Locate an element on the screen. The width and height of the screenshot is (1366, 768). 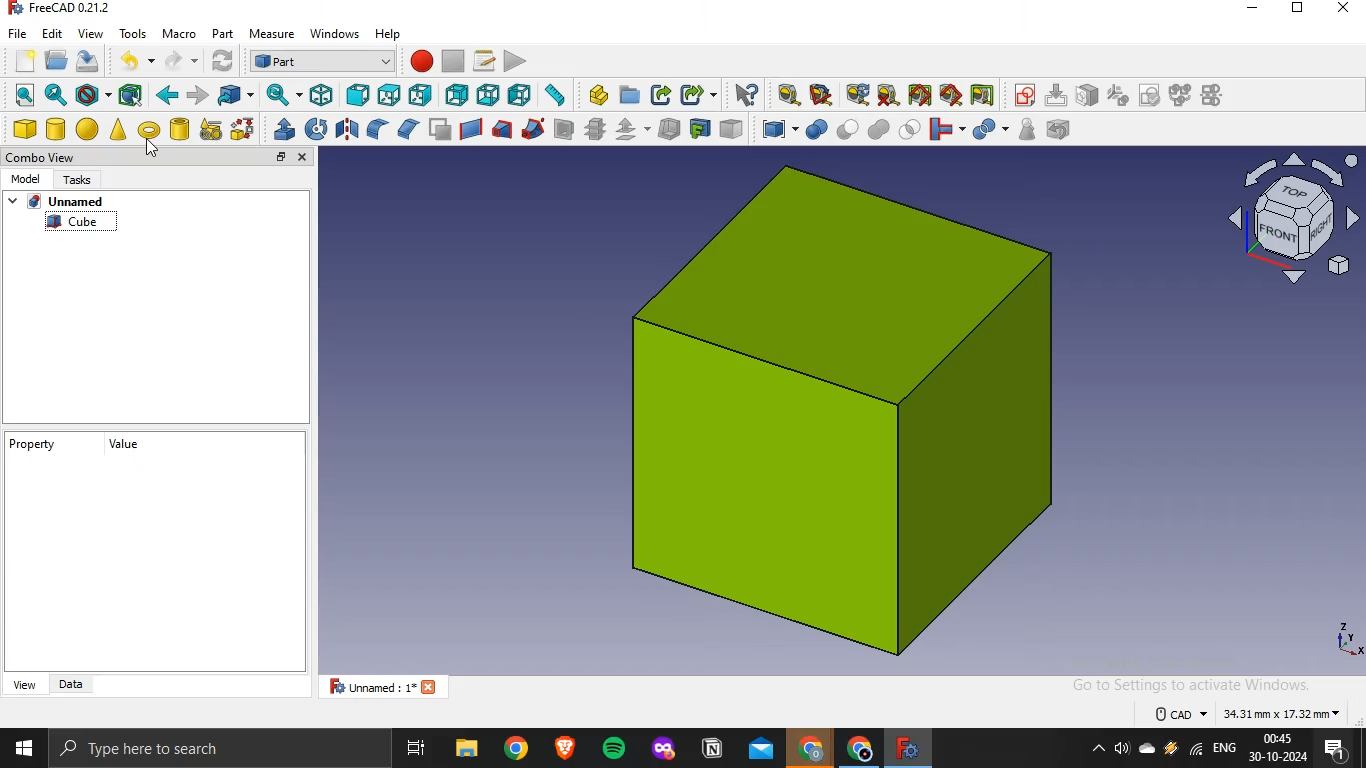
front is located at coordinates (356, 94).